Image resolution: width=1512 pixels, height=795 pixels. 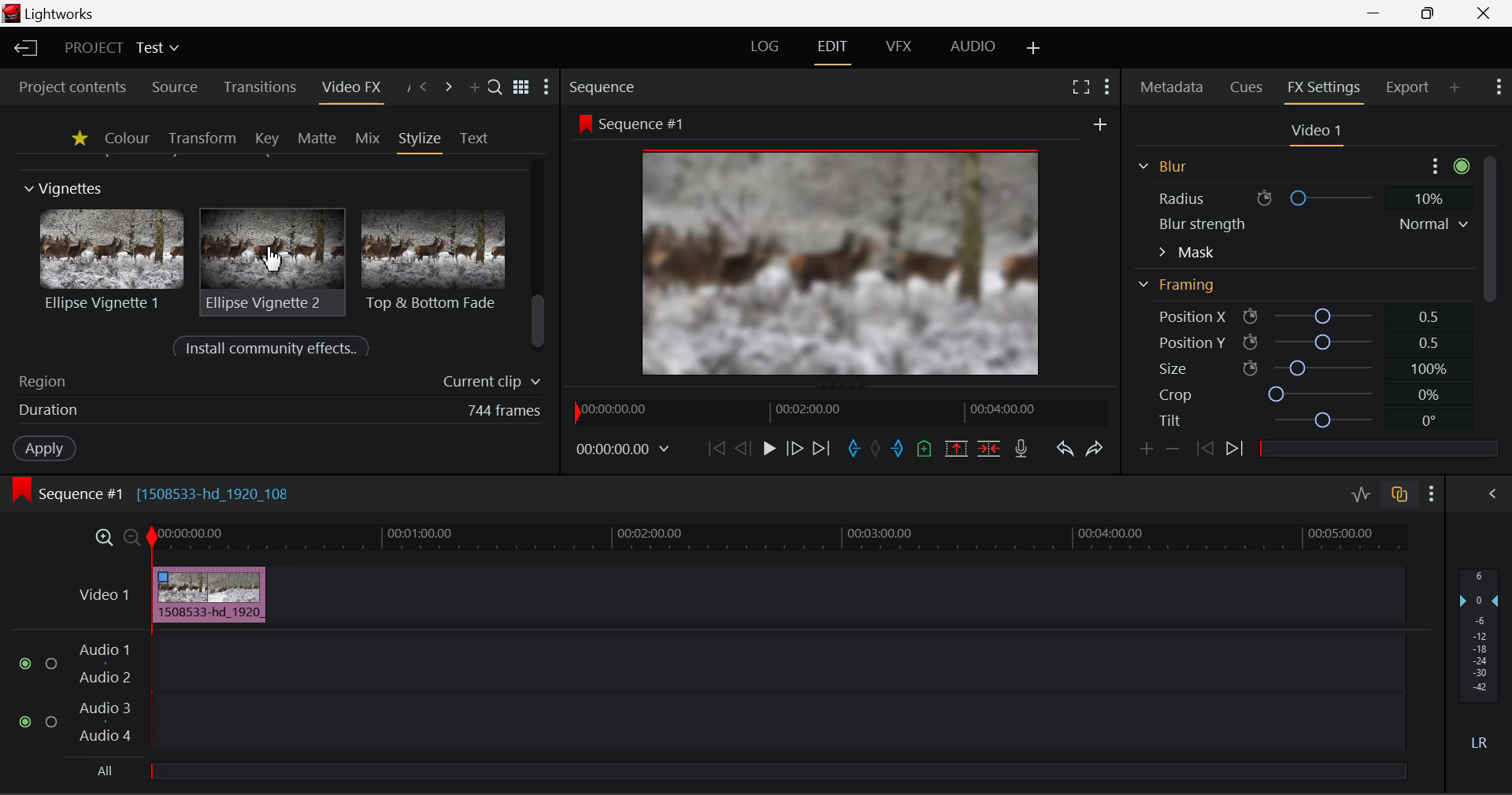 What do you see at coordinates (925, 448) in the screenshot?
I see `Mark Cue` at bounding box center [925, 448].